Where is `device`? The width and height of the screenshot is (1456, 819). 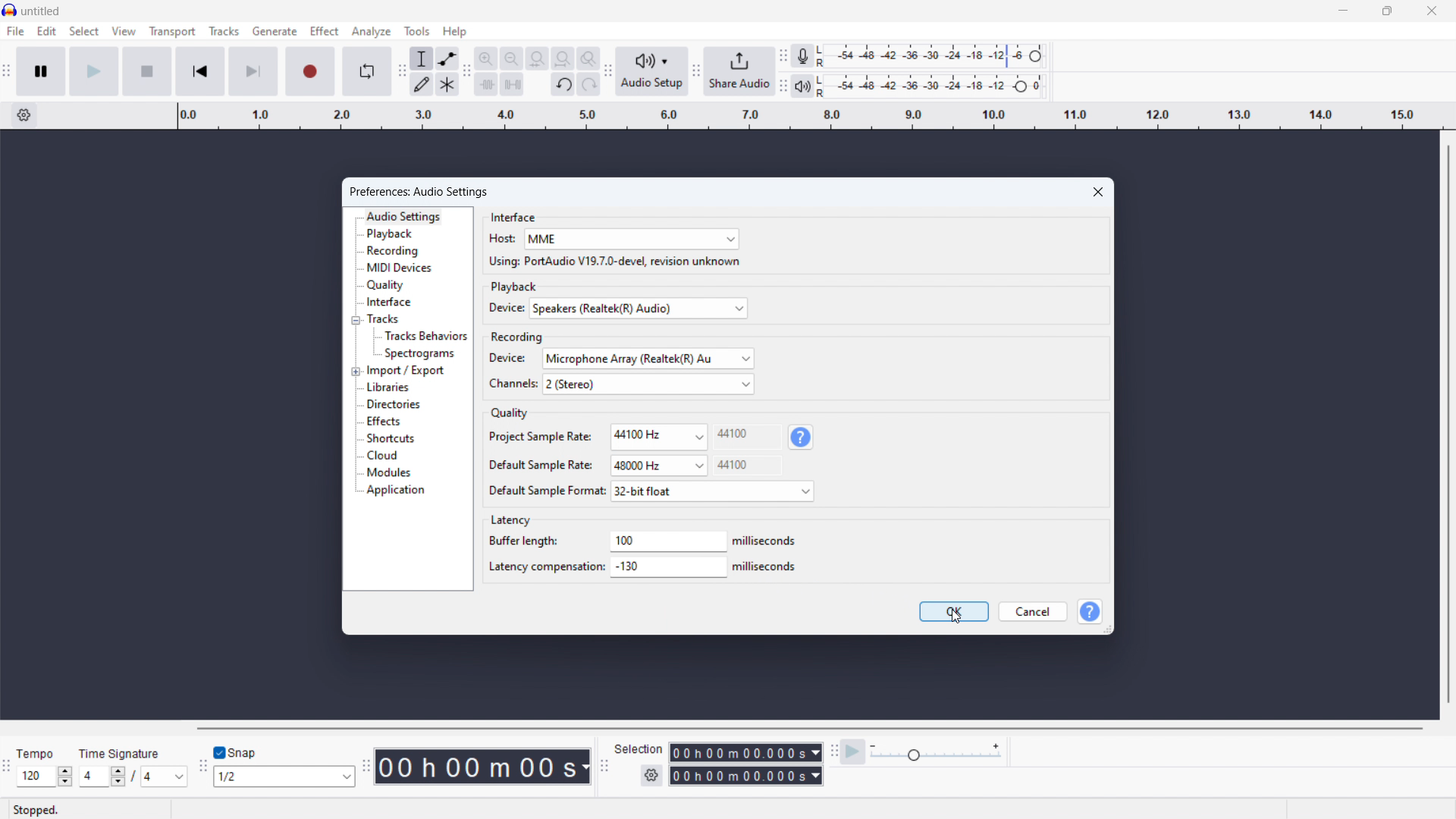 device is located at coordinates (509, 358).